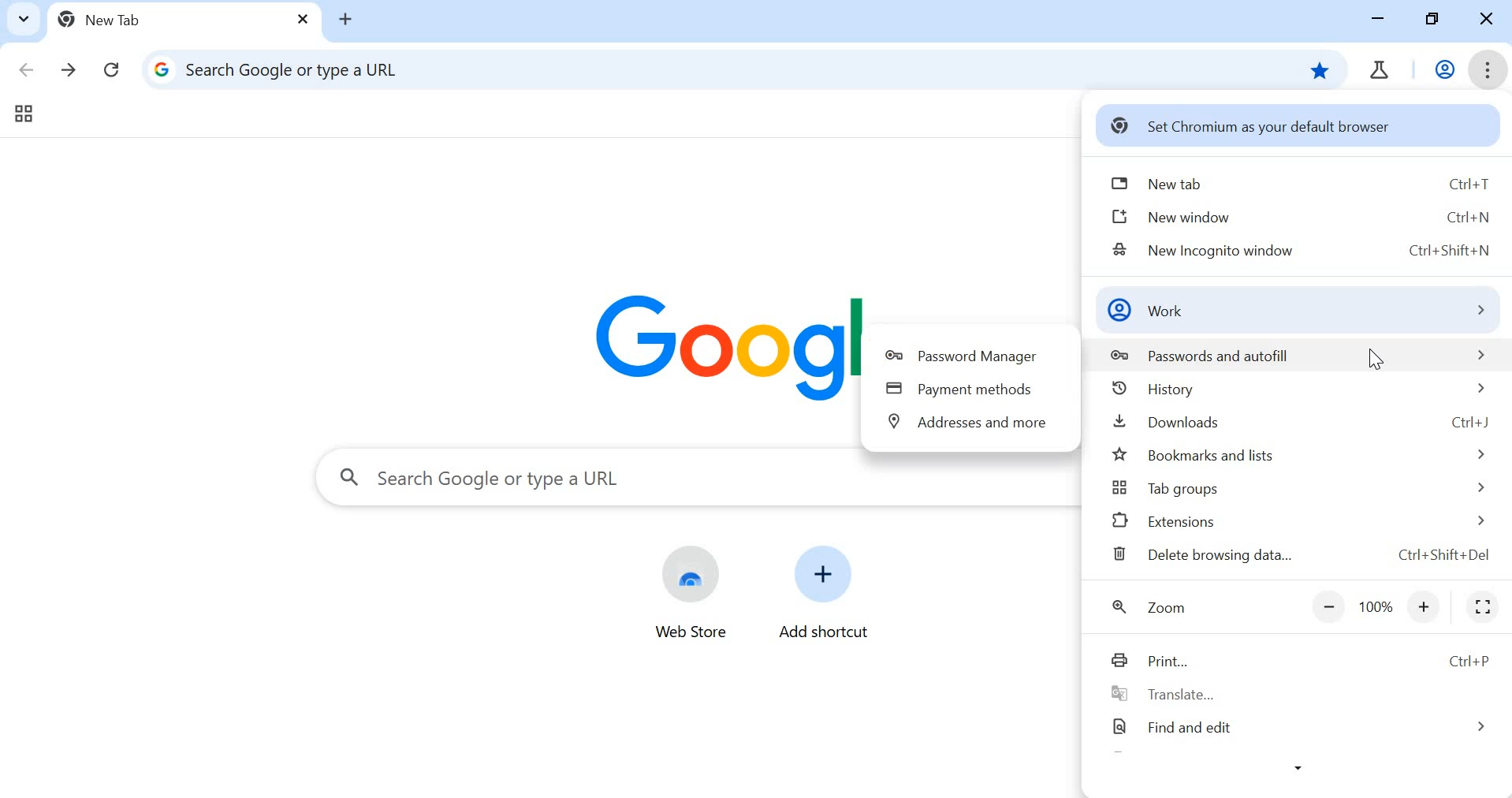 This screenshot has width=1512, height=798. What do you see at coordinates (24, 114) in the screenshot?
I see `tab groups` at bounding box center [24, 114].